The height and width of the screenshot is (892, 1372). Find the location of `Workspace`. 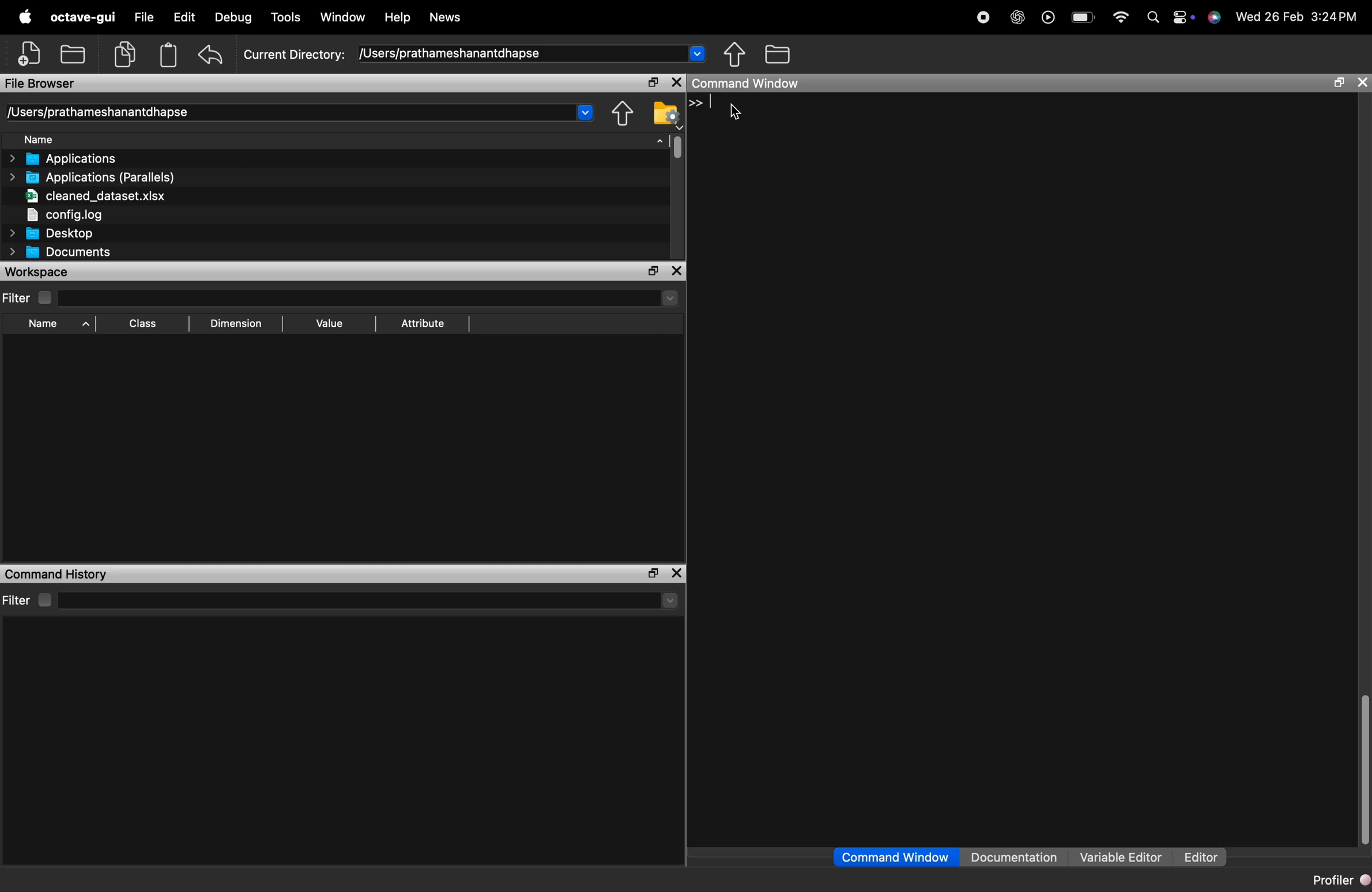

Workspace is located at coordinates (45, 271).